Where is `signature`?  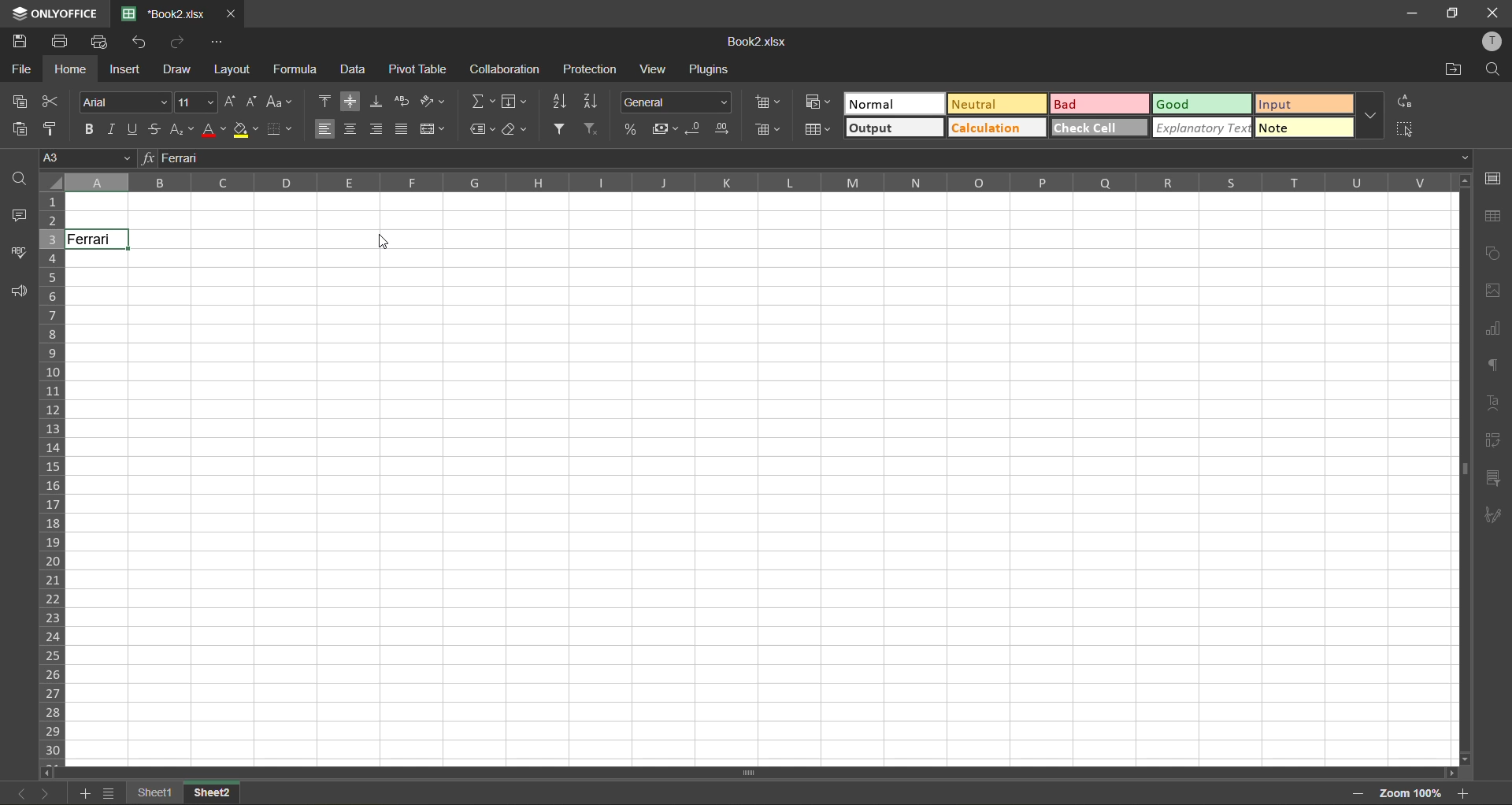
signature is located at coordinates (1494, 517).